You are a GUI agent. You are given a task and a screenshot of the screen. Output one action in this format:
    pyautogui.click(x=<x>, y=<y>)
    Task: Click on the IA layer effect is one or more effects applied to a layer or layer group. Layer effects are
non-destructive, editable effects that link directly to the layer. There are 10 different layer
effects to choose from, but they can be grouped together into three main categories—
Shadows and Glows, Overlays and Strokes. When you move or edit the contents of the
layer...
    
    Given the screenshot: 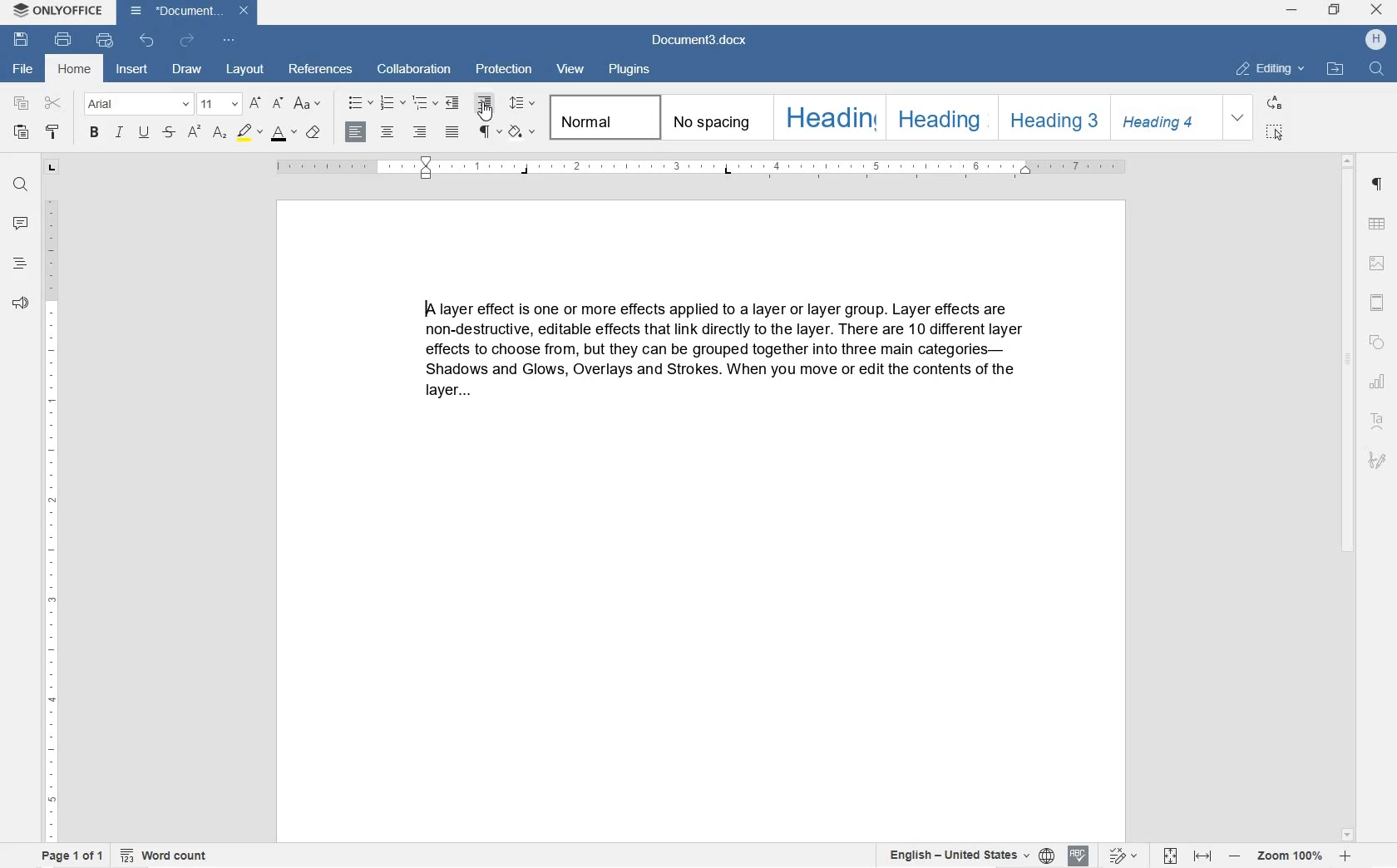 What is the action you would take?
    pyautogui.click(x=751, y=344)
    